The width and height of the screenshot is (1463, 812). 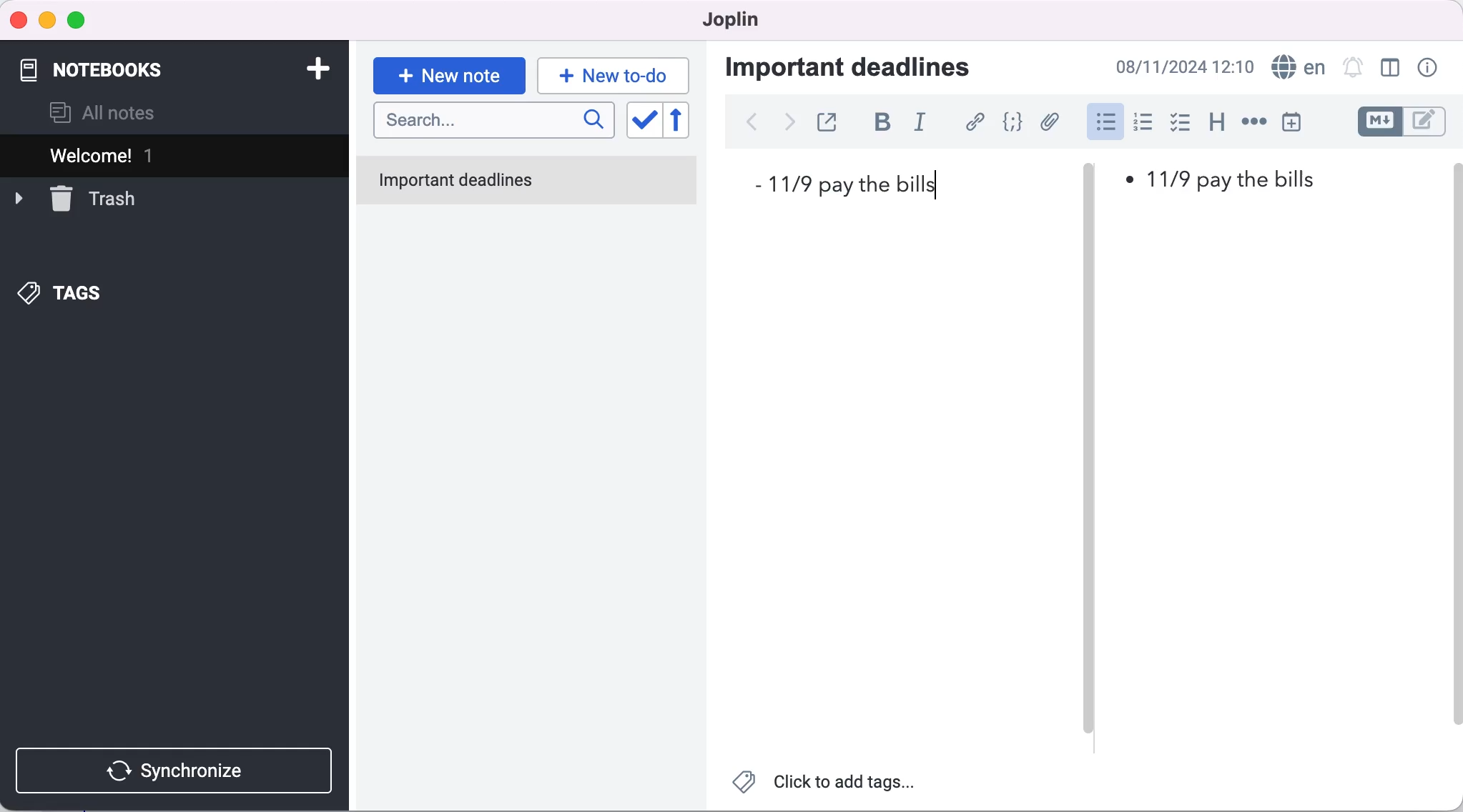 What do you see at coordinates (529, 182) in the screenshot?
I see `important deadlines note` at bounding box center [529, 182].